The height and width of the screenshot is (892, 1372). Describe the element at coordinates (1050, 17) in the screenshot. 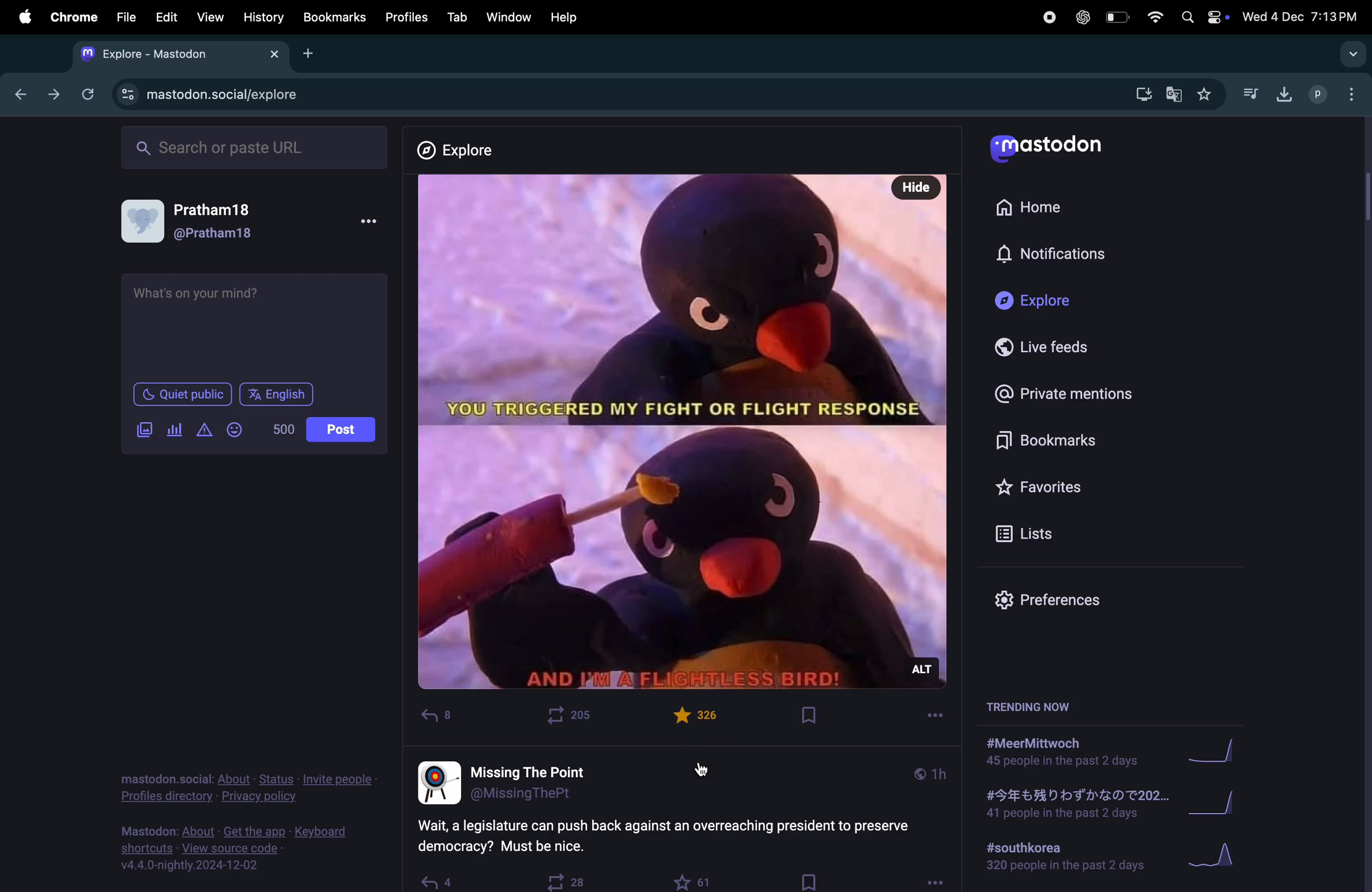

I see `record` at that location.